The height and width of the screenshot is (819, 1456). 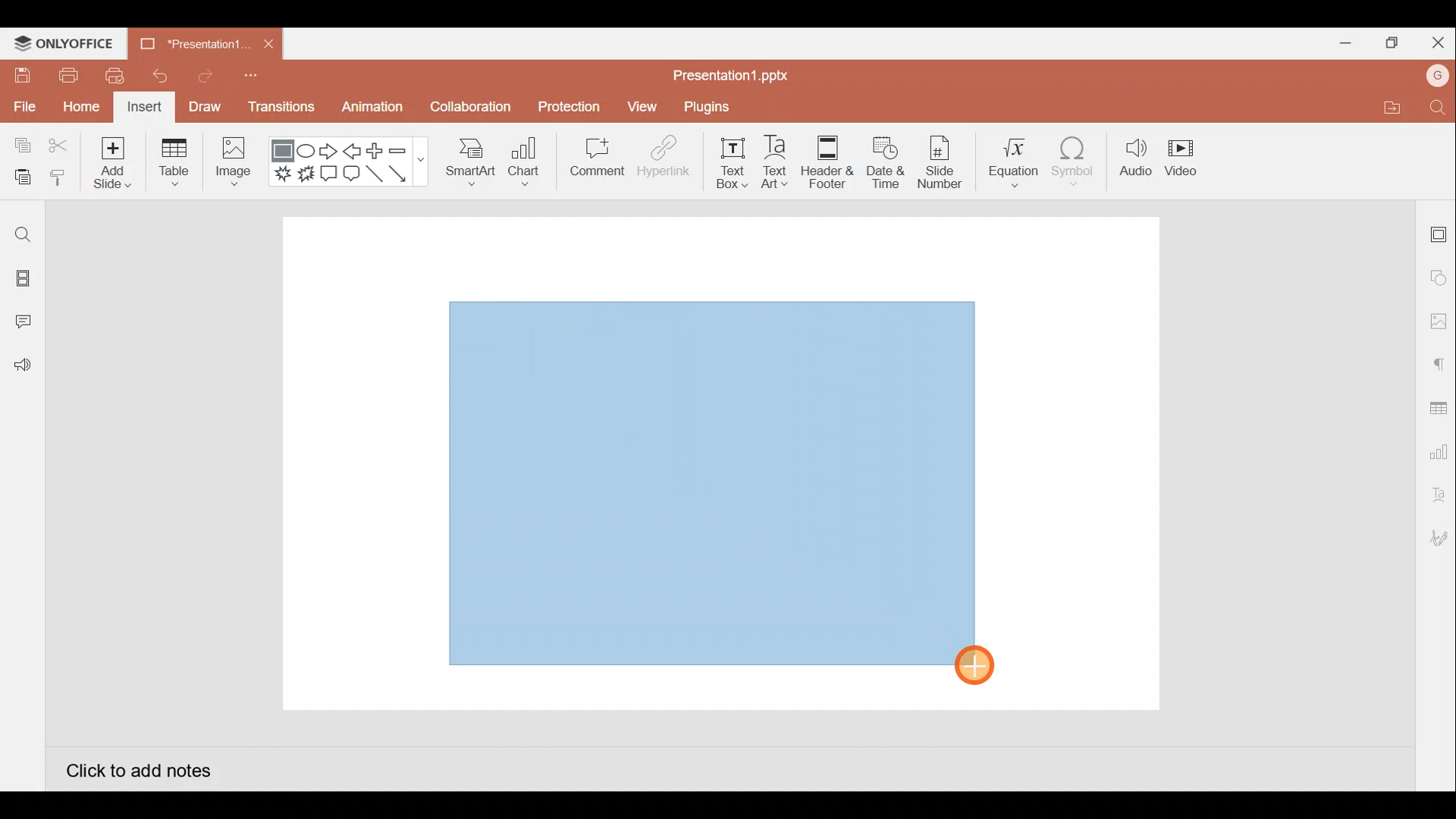 I want to click on Audio, so click(x=1136, y=158).